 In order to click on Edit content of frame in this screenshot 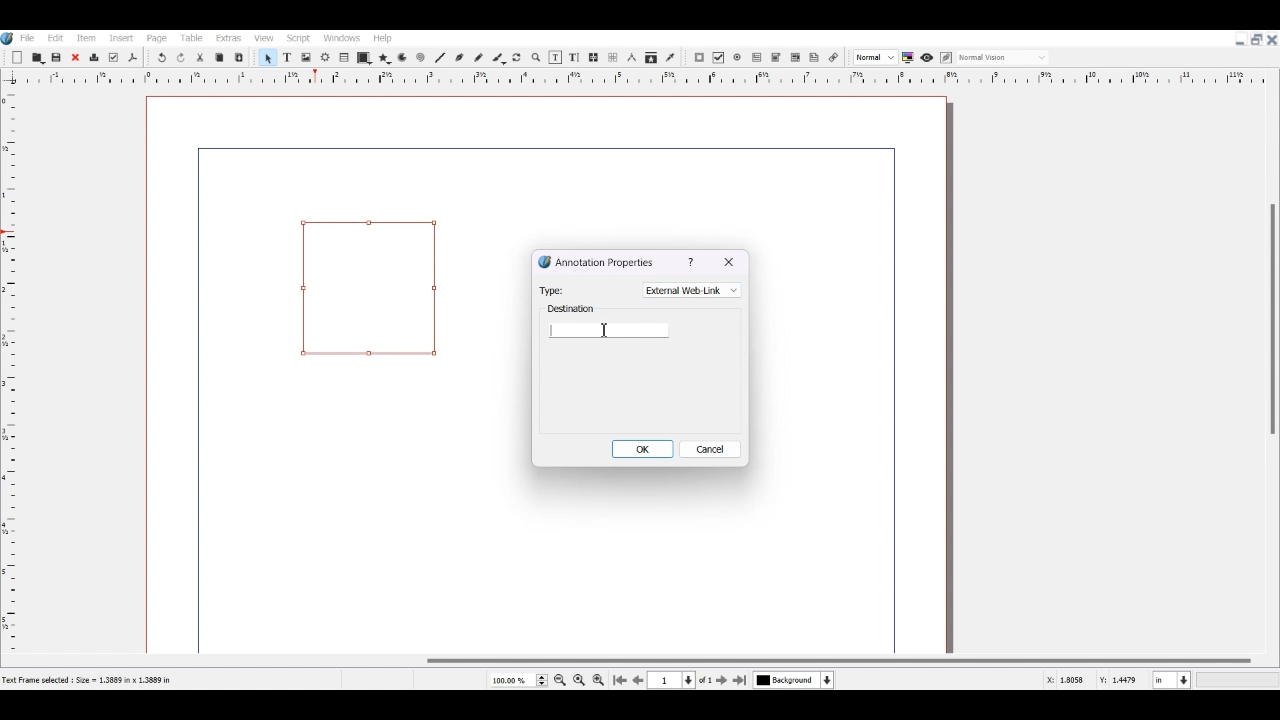, I will do `click(555, 57)`.